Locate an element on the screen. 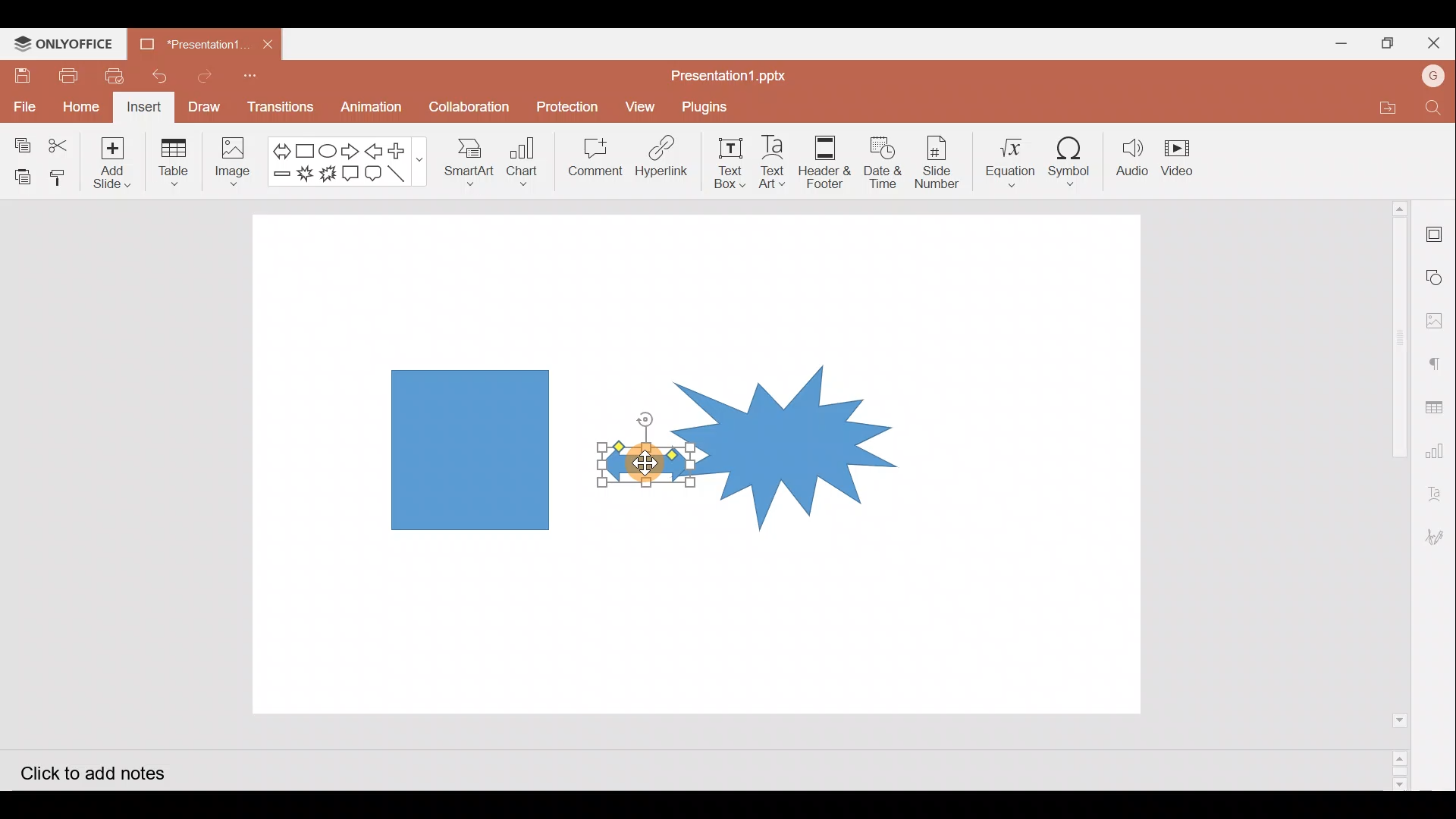 The height and width of the screenshot is (819, 1456). Image is located at coordinates (233, 160).